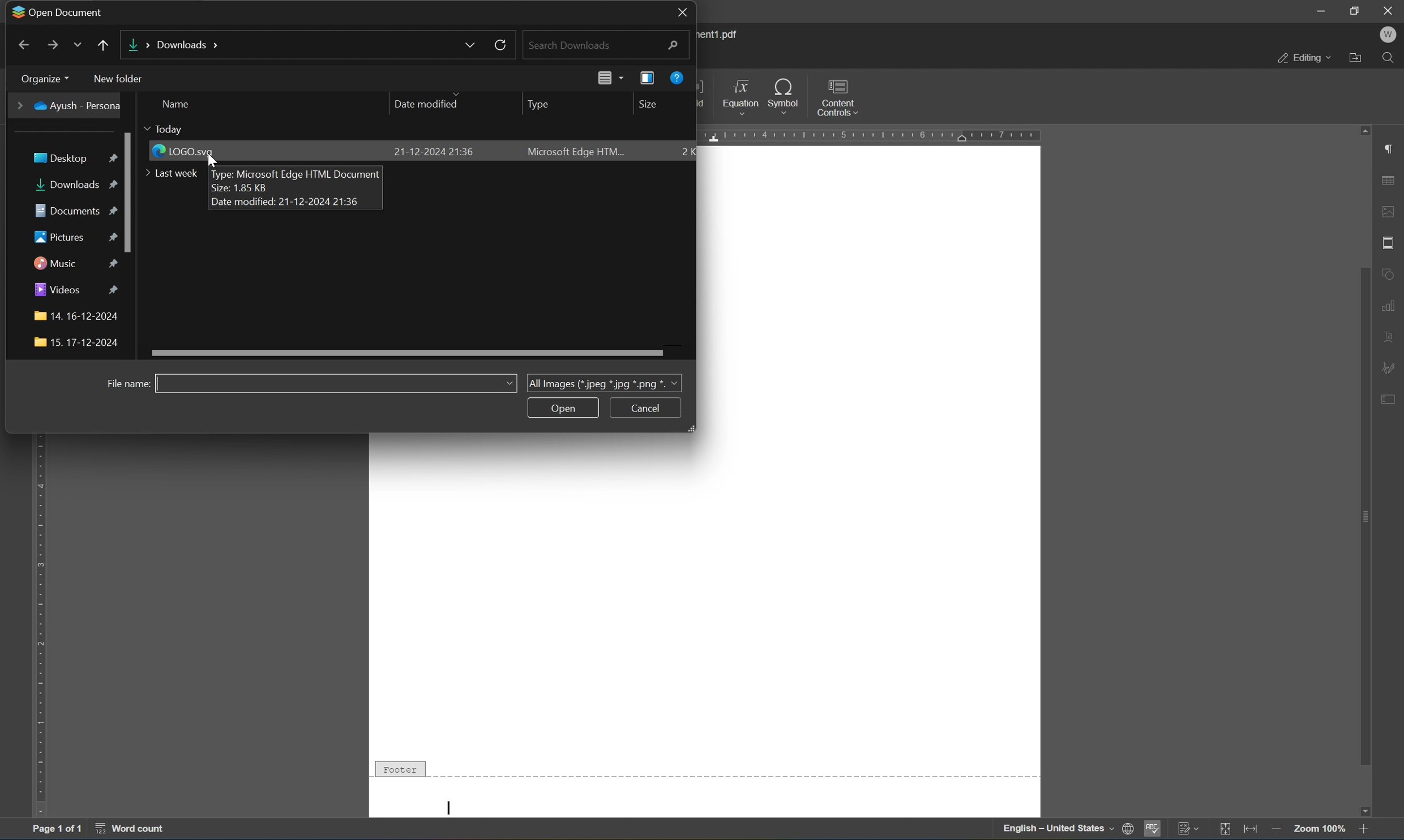  What do you see at coordinates (78, 290) in the screenshot?
I see `videos` at bounding box center [78, 290].